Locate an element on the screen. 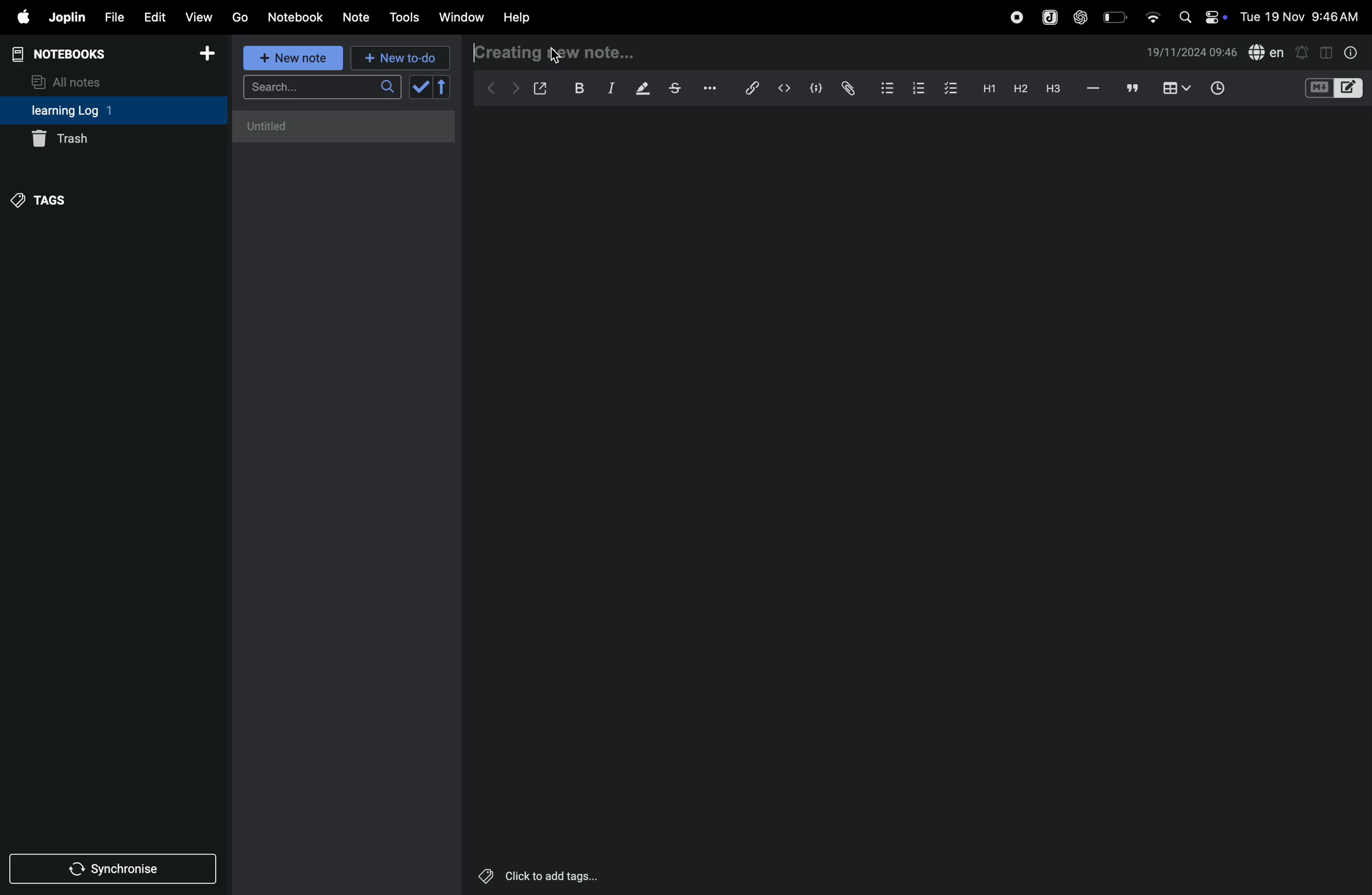 The height and width of the screenshot is (895, 1372). apple menu is located at coordinates (18, 18).